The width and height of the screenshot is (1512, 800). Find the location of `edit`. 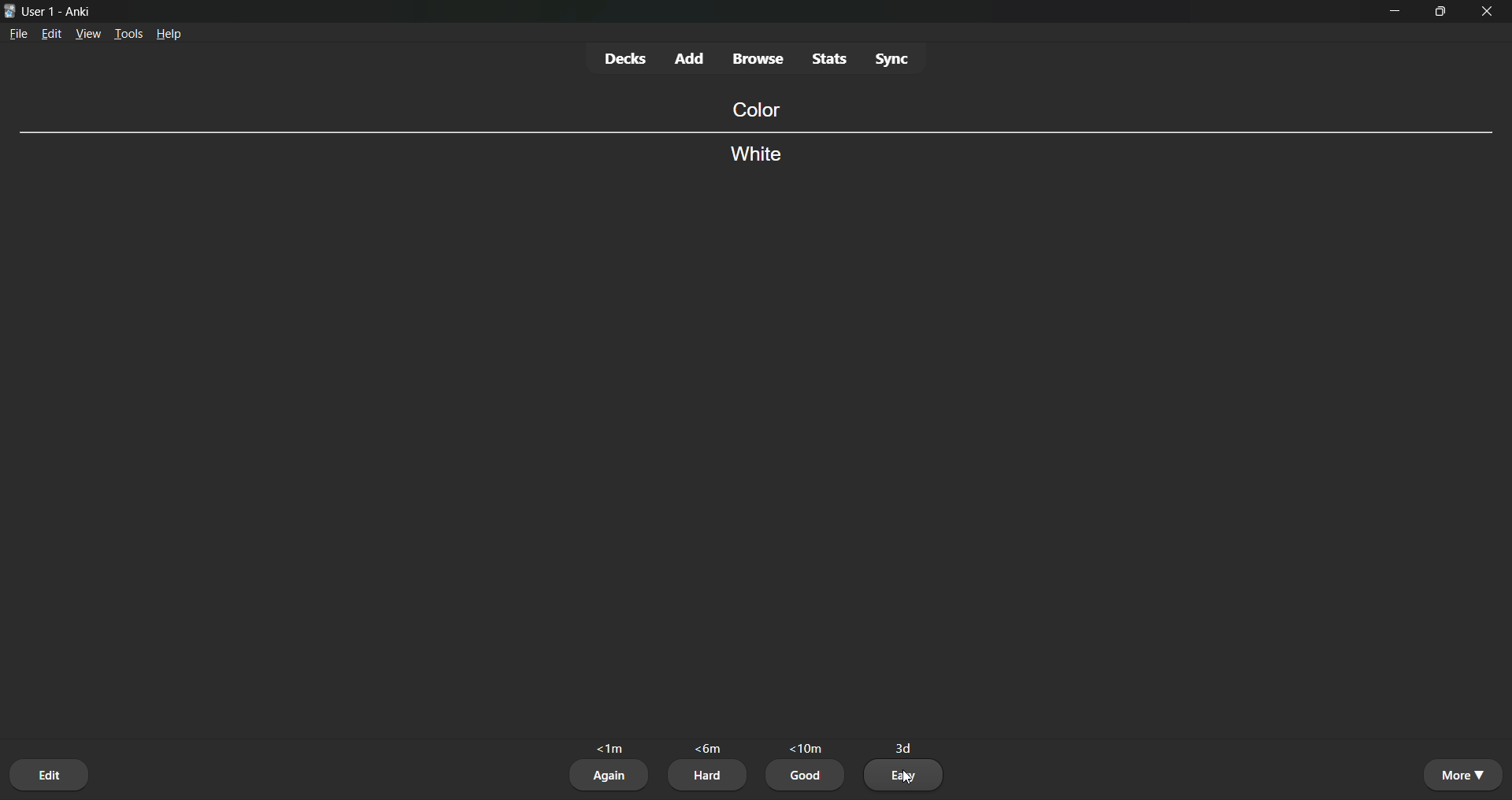

edit is located at coordinates (51, 36).